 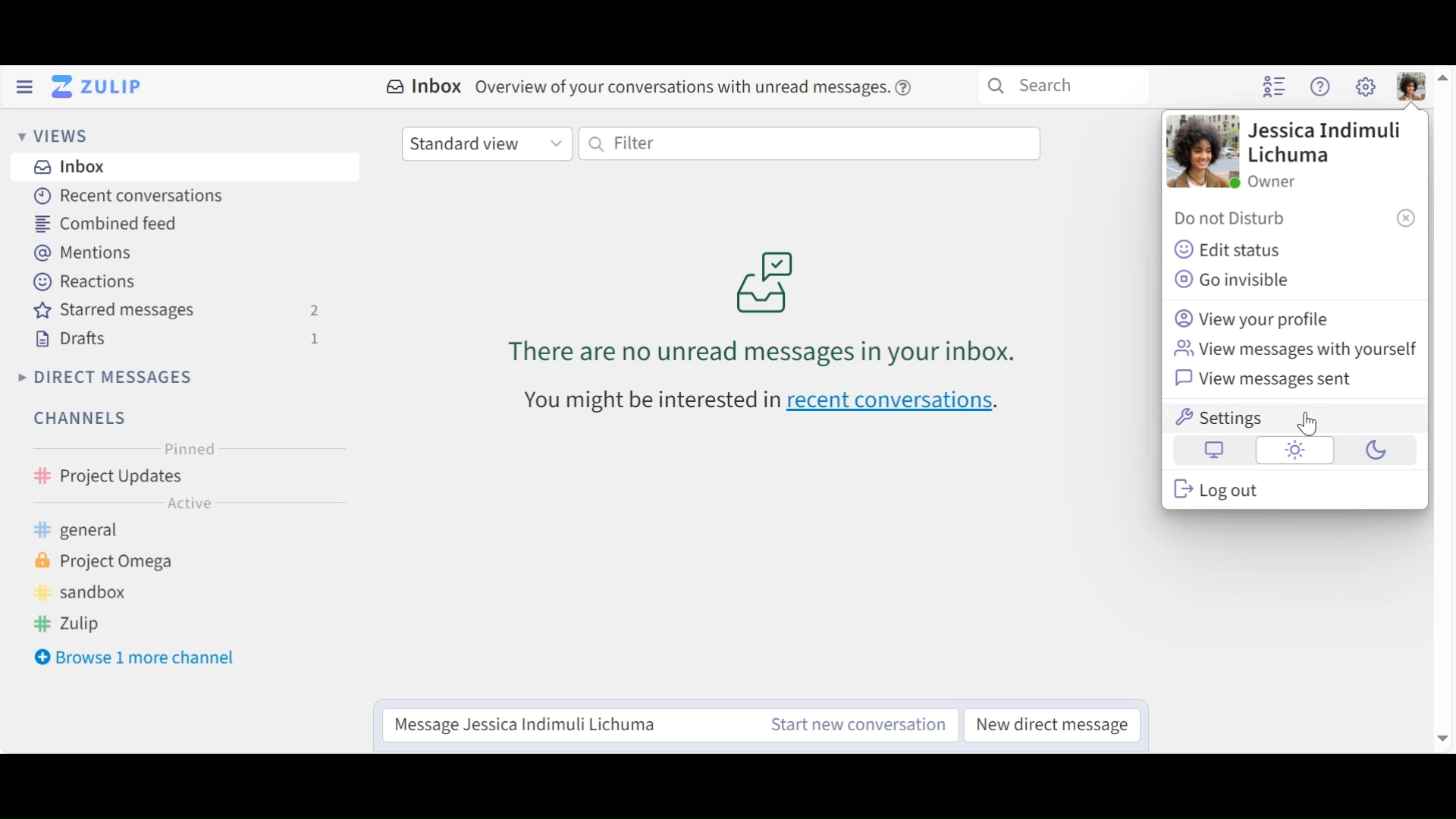 What do you see at coordinates (1322, 143) in the screenshot?
I see `User name` at bounding box center [1322, 143].